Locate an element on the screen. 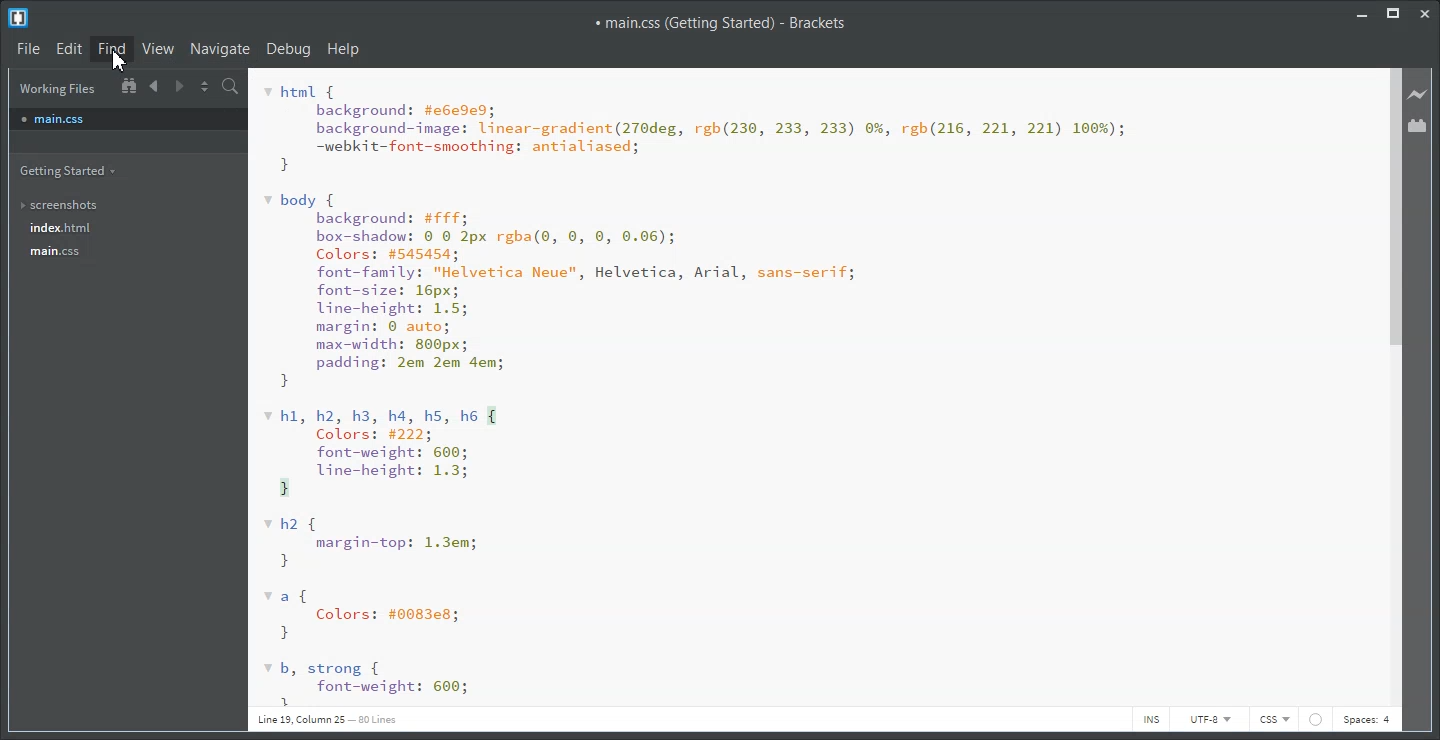  UTF-8 is located at coordinates (1208, 719).